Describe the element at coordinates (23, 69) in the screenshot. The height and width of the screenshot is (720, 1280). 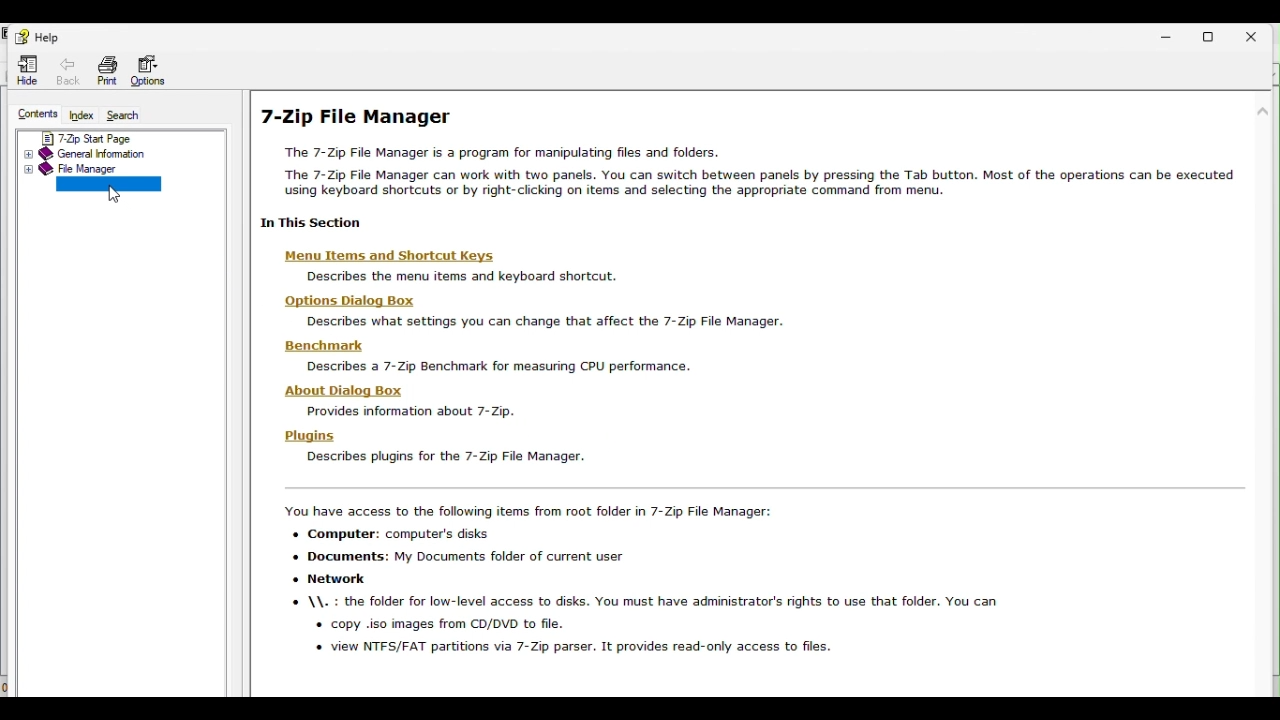
I see `Hide ` at that location.